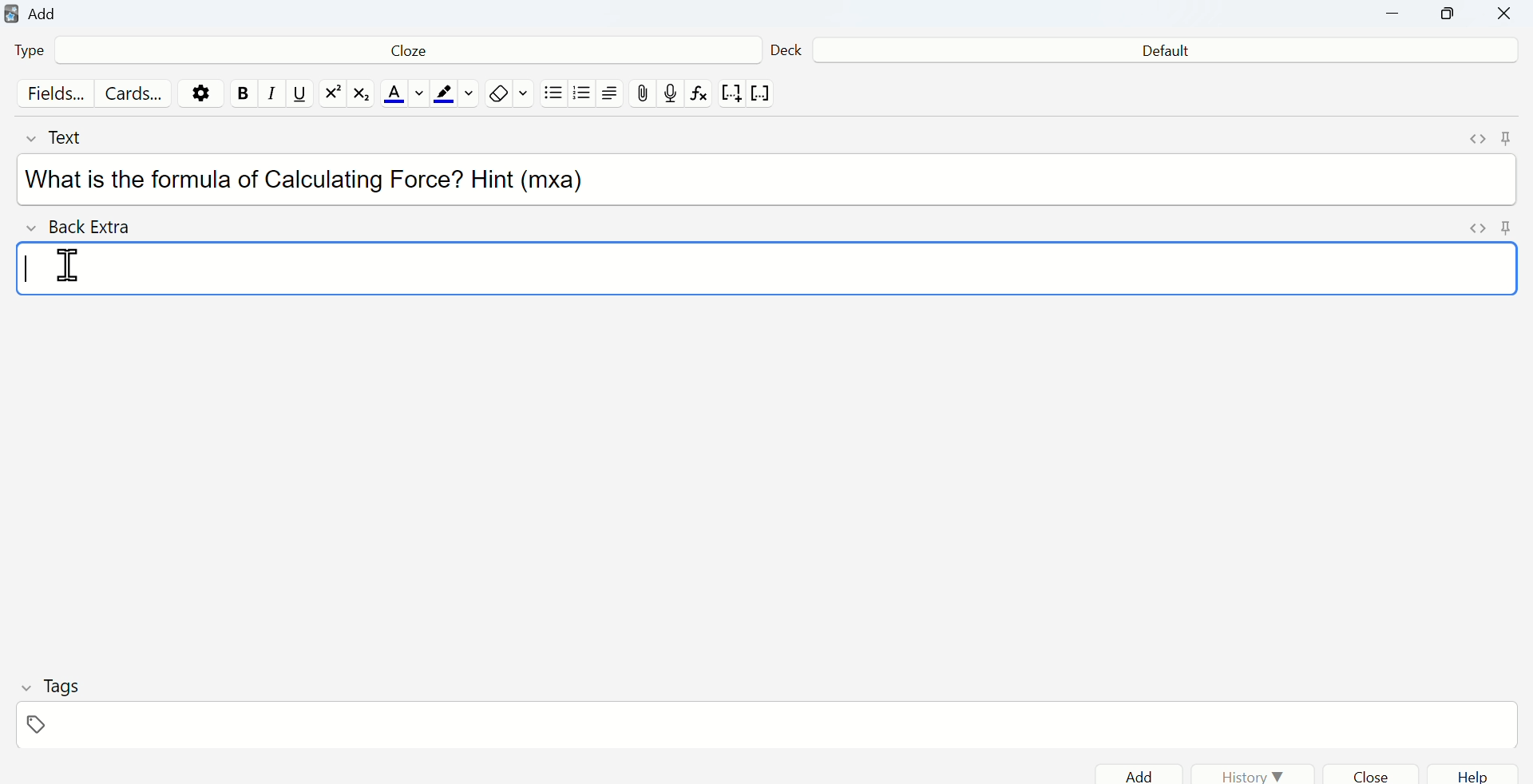  Describe the element at coordinates (1474, 774) in the screenshot. I see `help` at that location.